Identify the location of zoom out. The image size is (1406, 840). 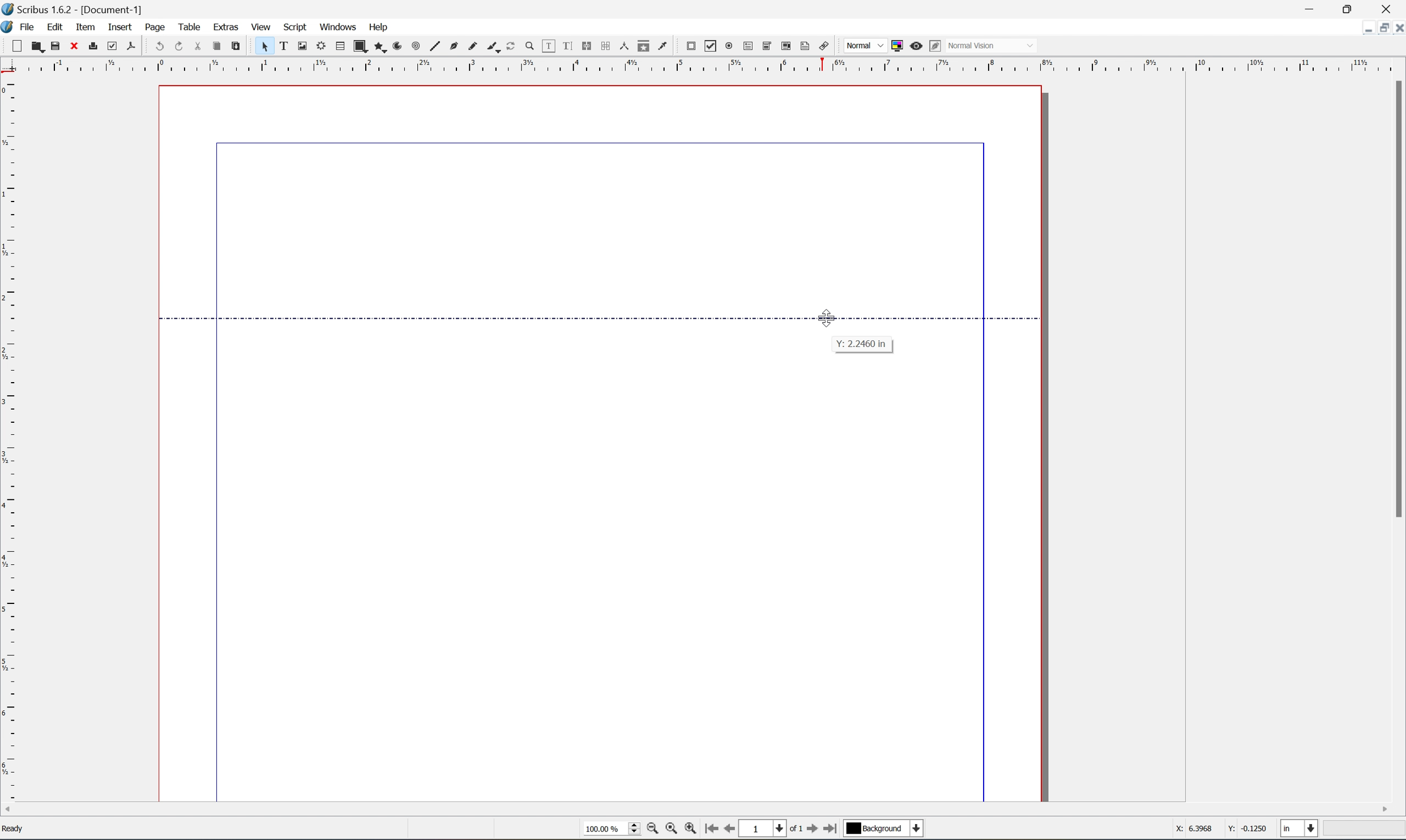
(653, 830).